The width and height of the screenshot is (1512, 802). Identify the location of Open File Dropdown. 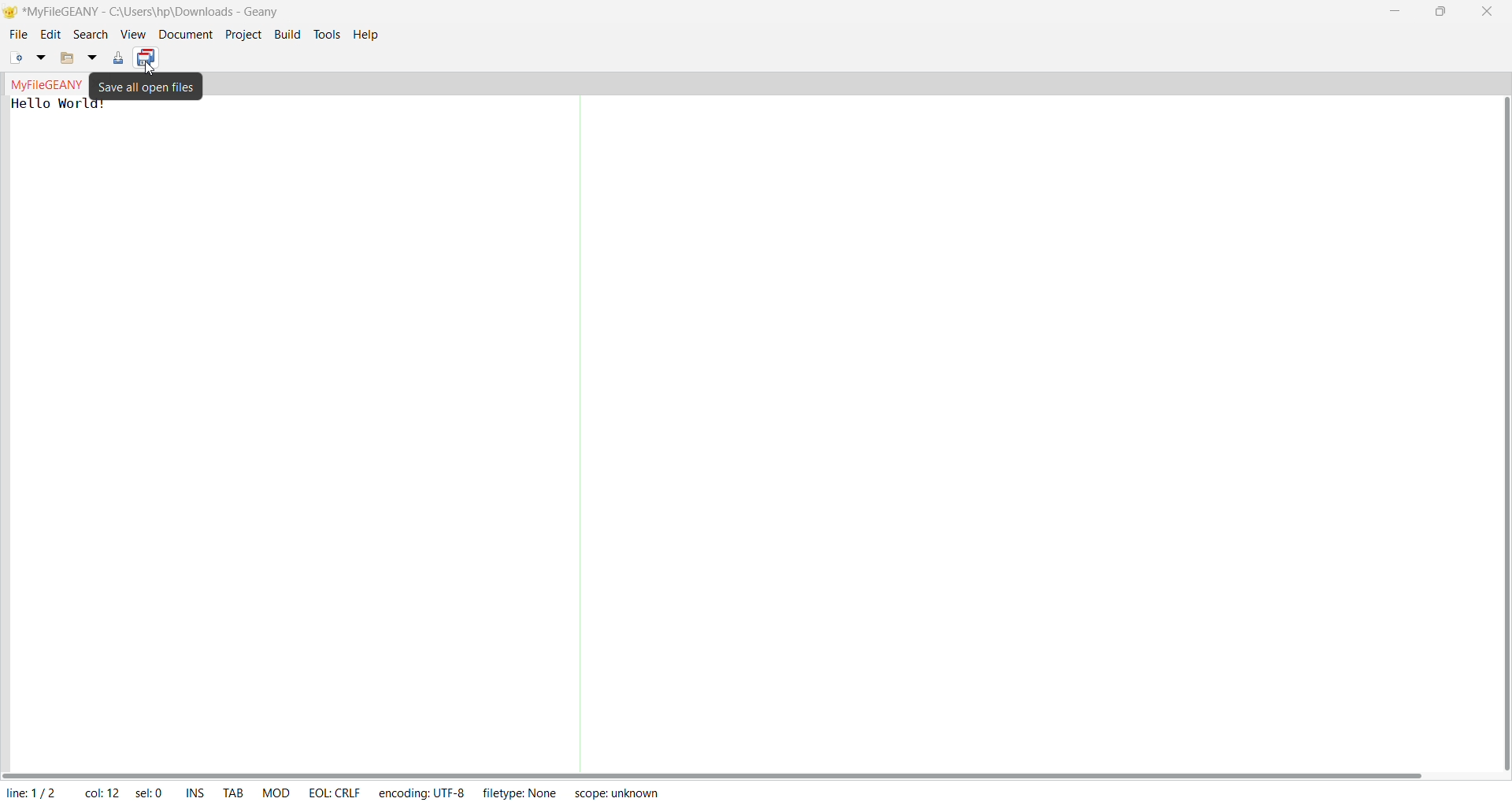
(93, 58).